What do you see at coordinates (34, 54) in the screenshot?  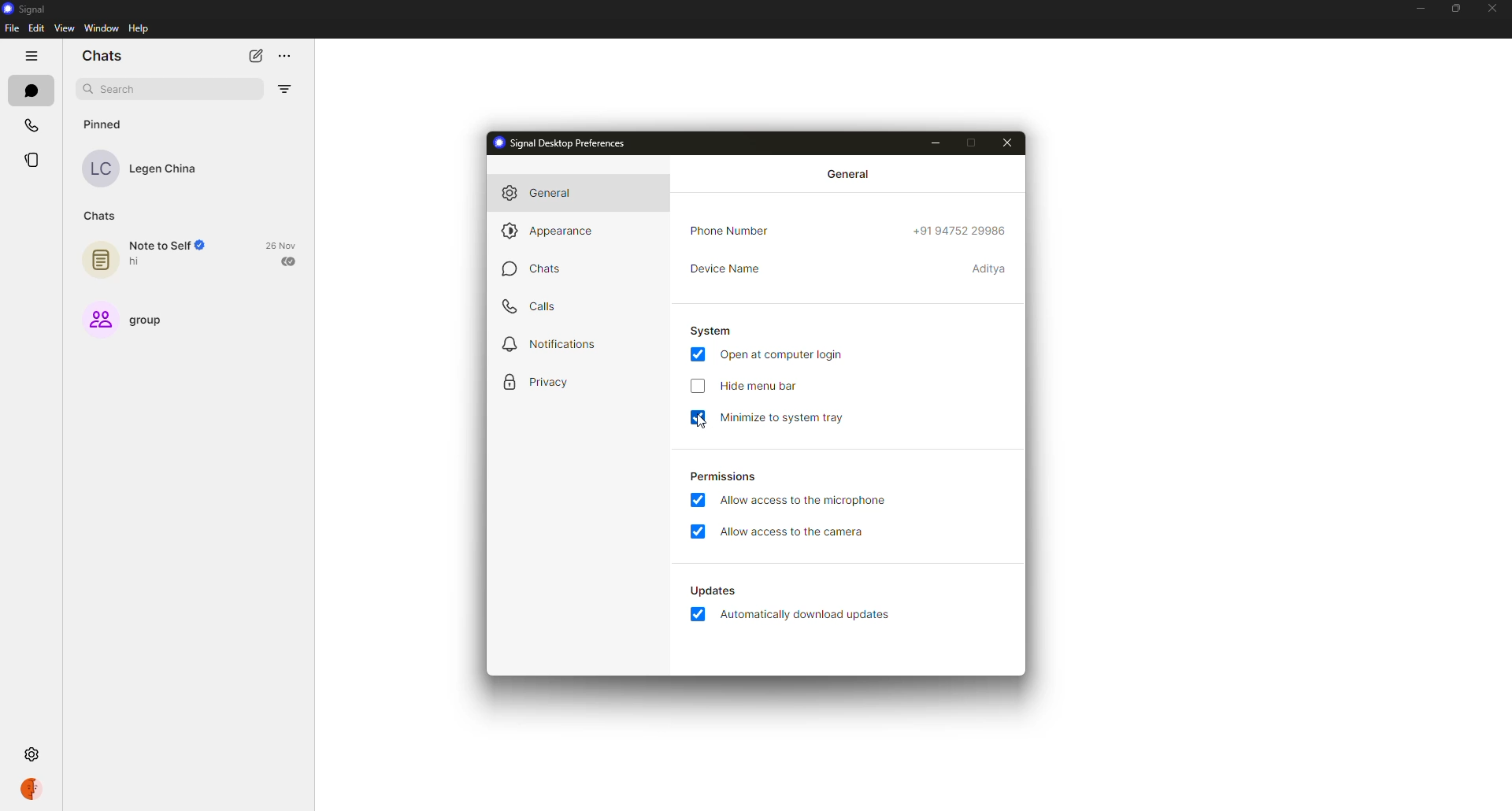 I see `hide tabs` at bounding box center [34, 54].